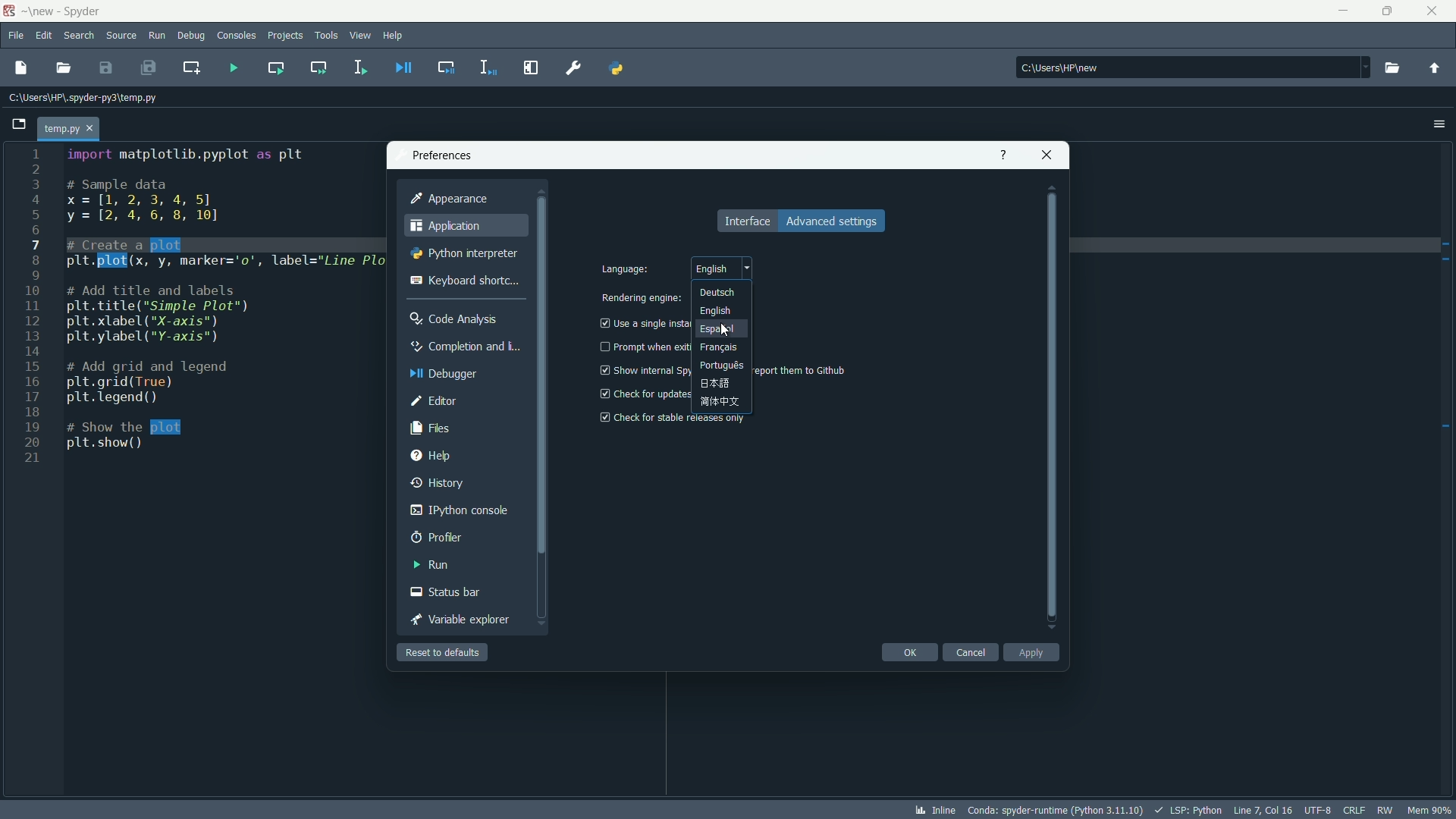 The height and width of the screenshot is (819, 1456). I want to click on application, so click(447, 226).